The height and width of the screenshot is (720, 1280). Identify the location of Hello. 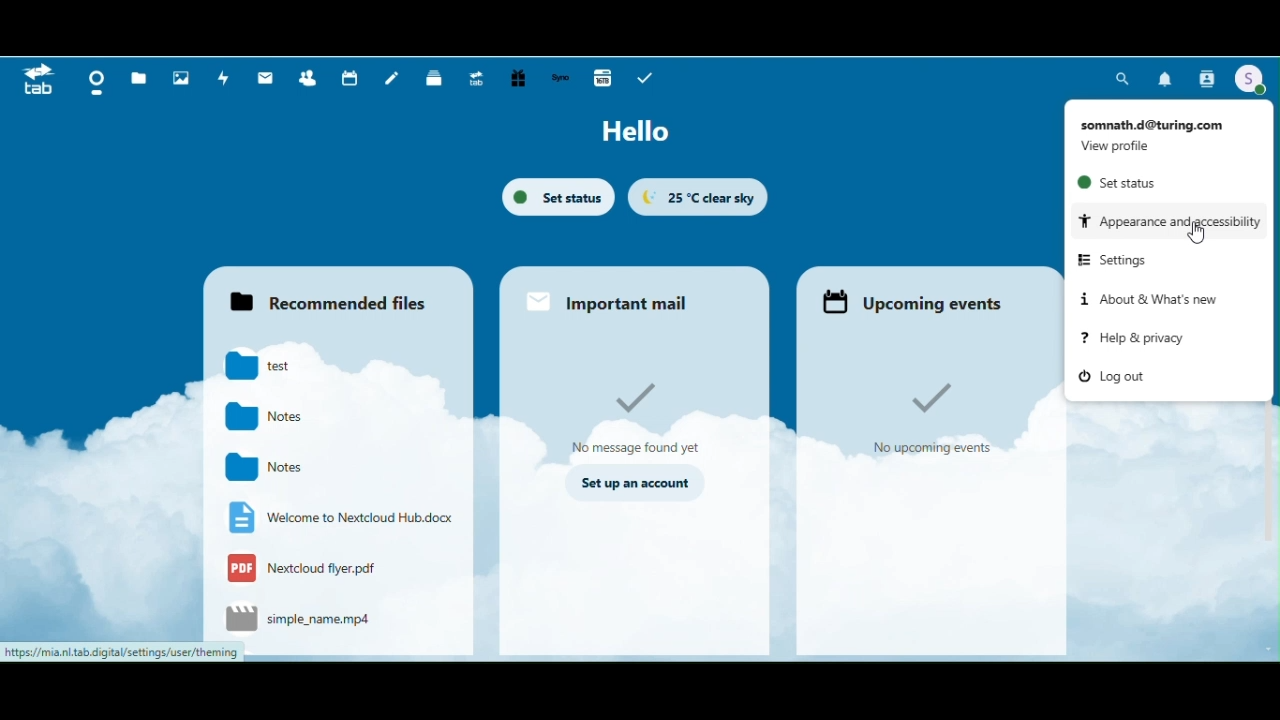
(643, 133).